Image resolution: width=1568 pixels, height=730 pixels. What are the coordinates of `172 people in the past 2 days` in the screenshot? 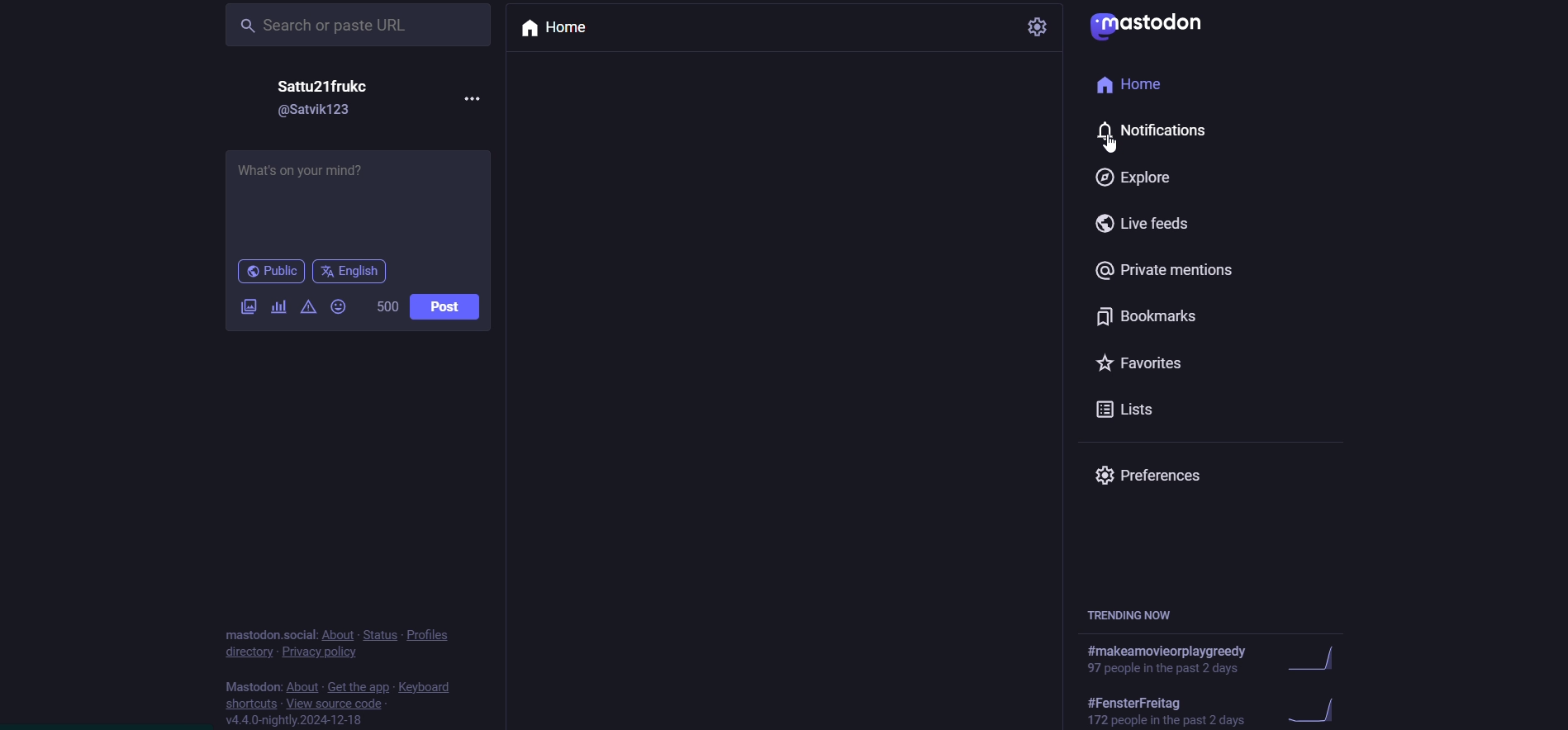 It's located at (1169, 720).